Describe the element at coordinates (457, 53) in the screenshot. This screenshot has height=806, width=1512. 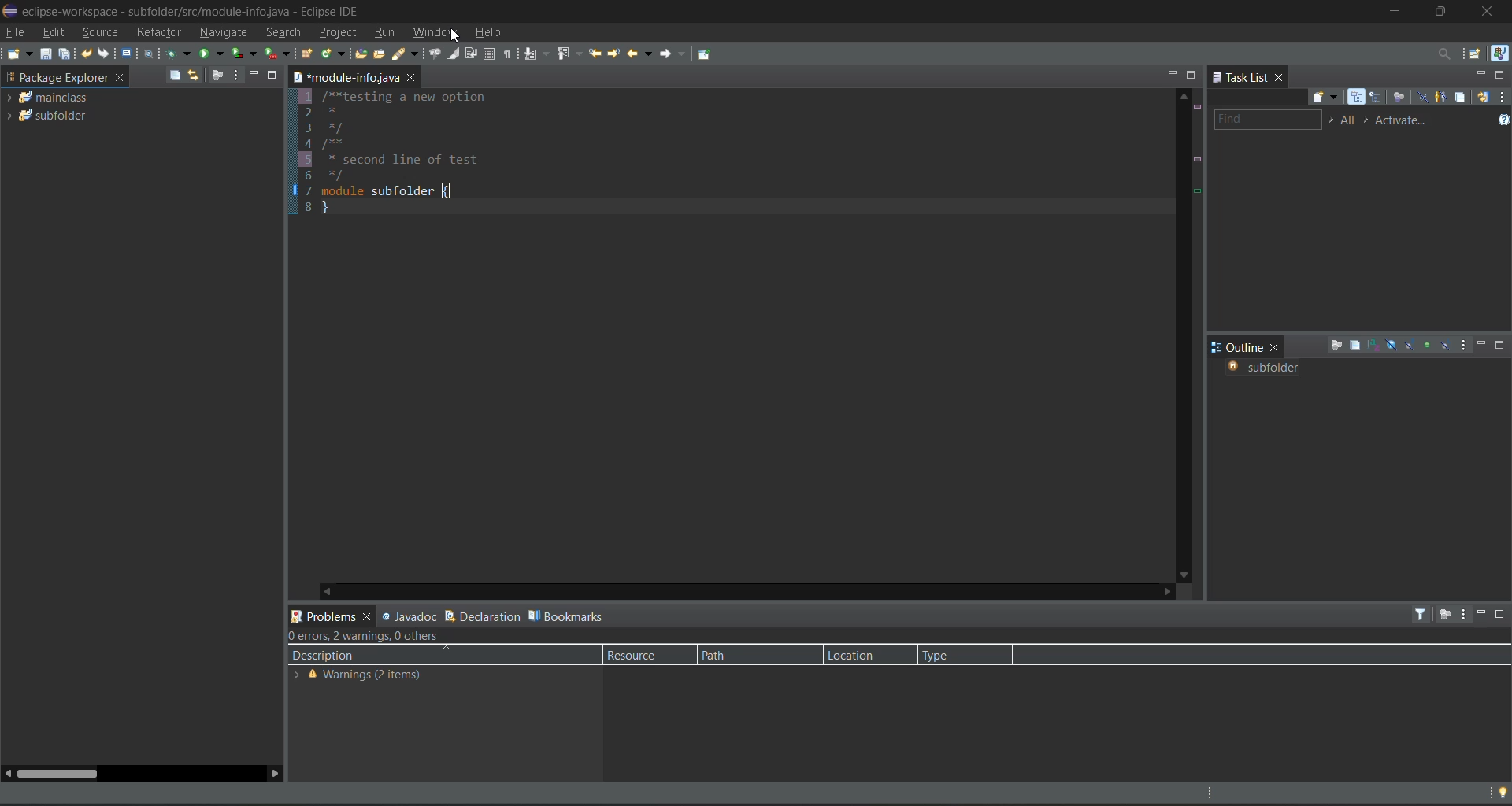
I see `toggle mark occurences` at that location.